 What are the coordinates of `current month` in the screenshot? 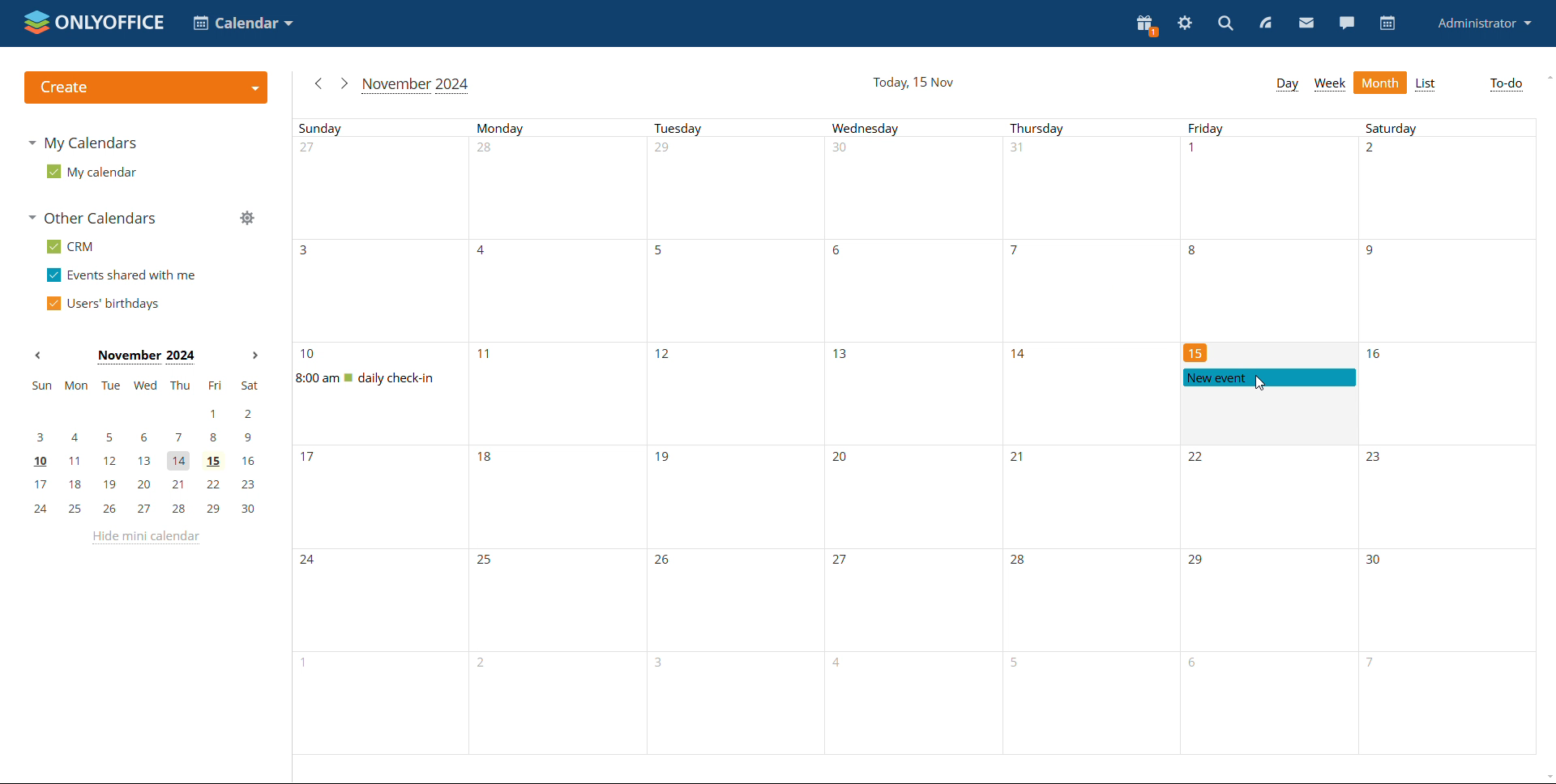 It's located at (415, 84).